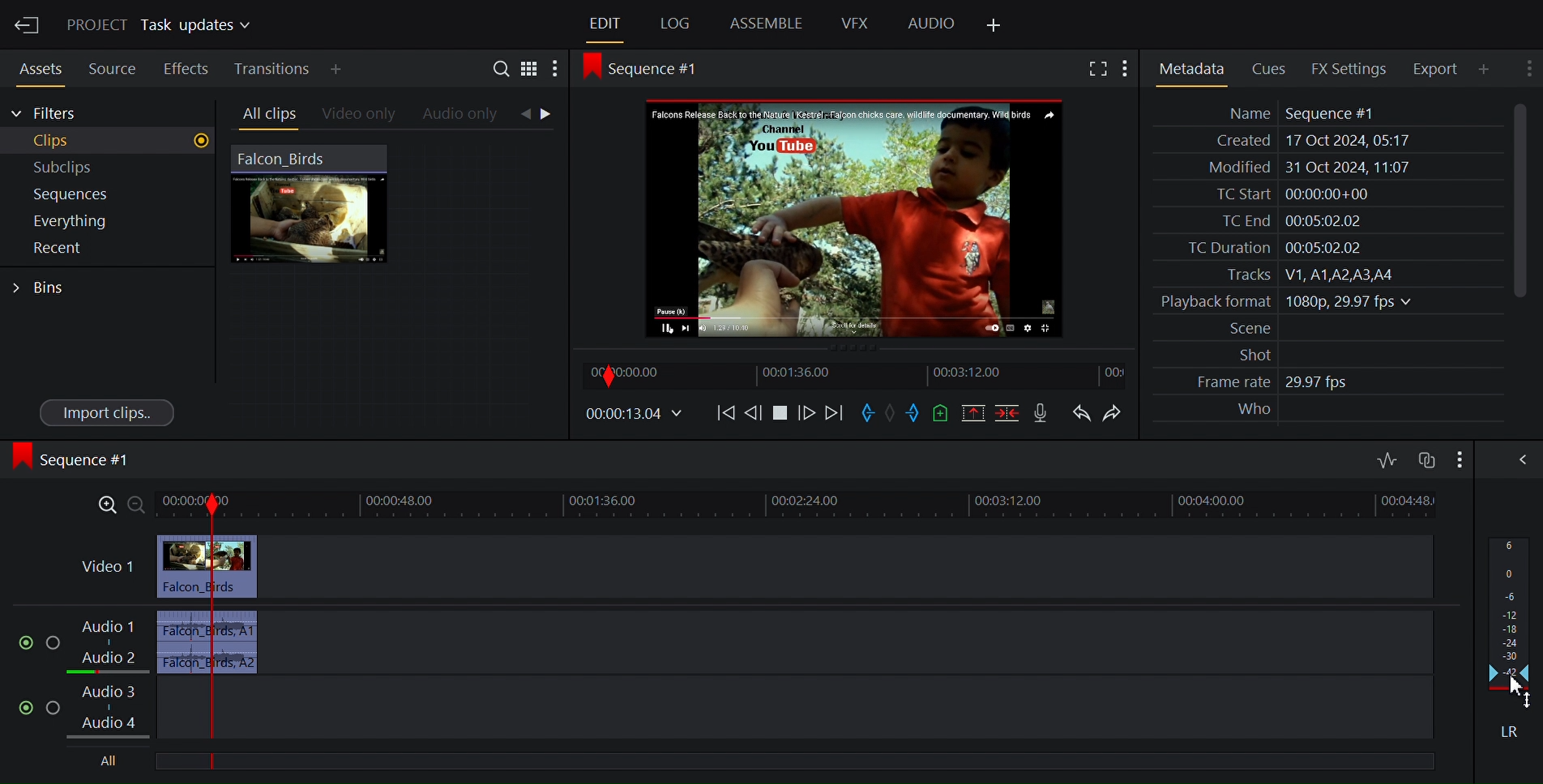 The height and width of the screenshot is (784, 1543). Describe the element at coordinates (1287, 194) in the screenshot. I see `TC Start 00:00:00+00` at that location.